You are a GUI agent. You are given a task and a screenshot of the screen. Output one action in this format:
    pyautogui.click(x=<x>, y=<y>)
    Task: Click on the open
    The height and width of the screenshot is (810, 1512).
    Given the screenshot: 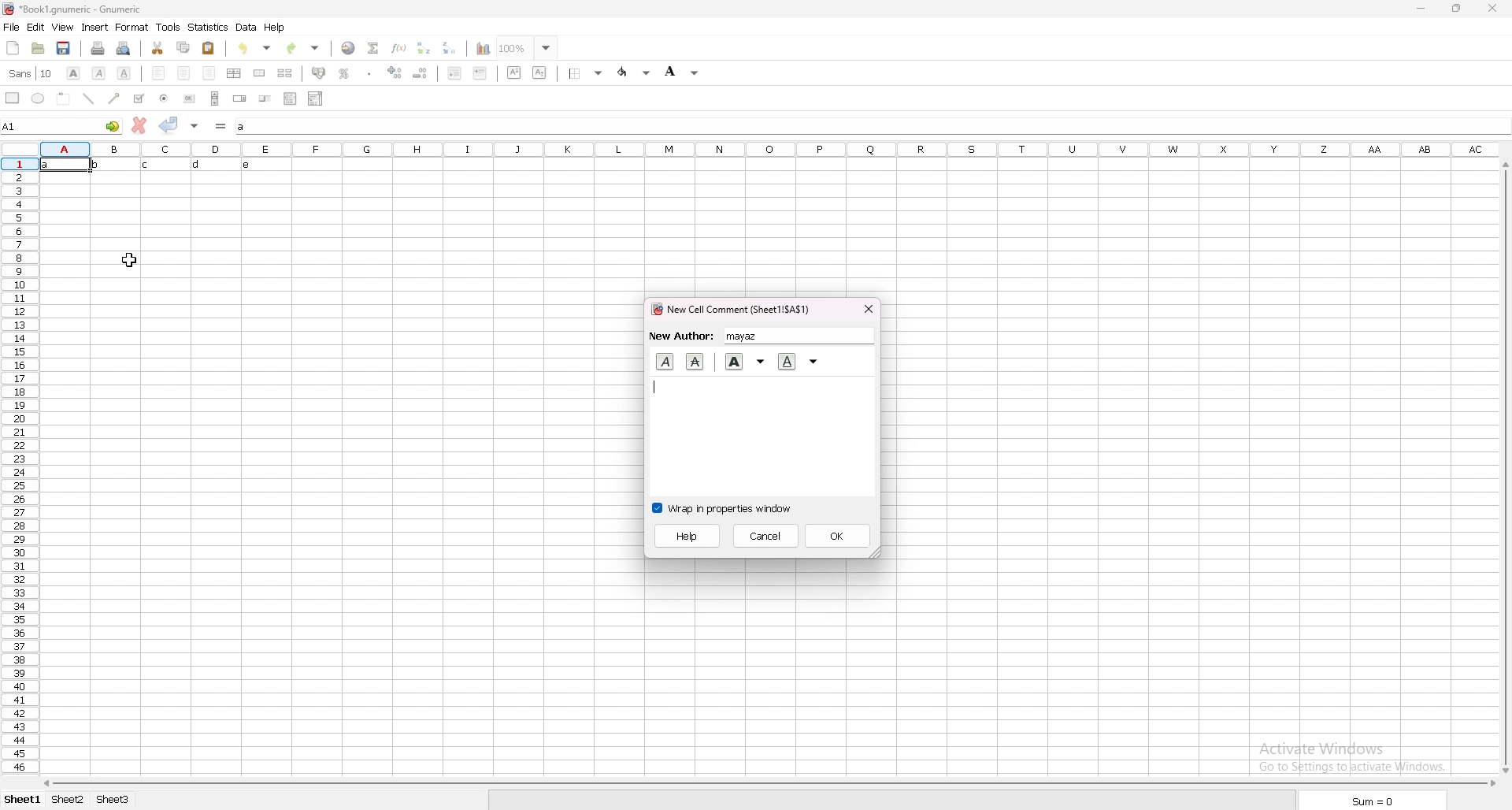 What is the action you would take?
    pyautogui.click(x=39, y=48)
    